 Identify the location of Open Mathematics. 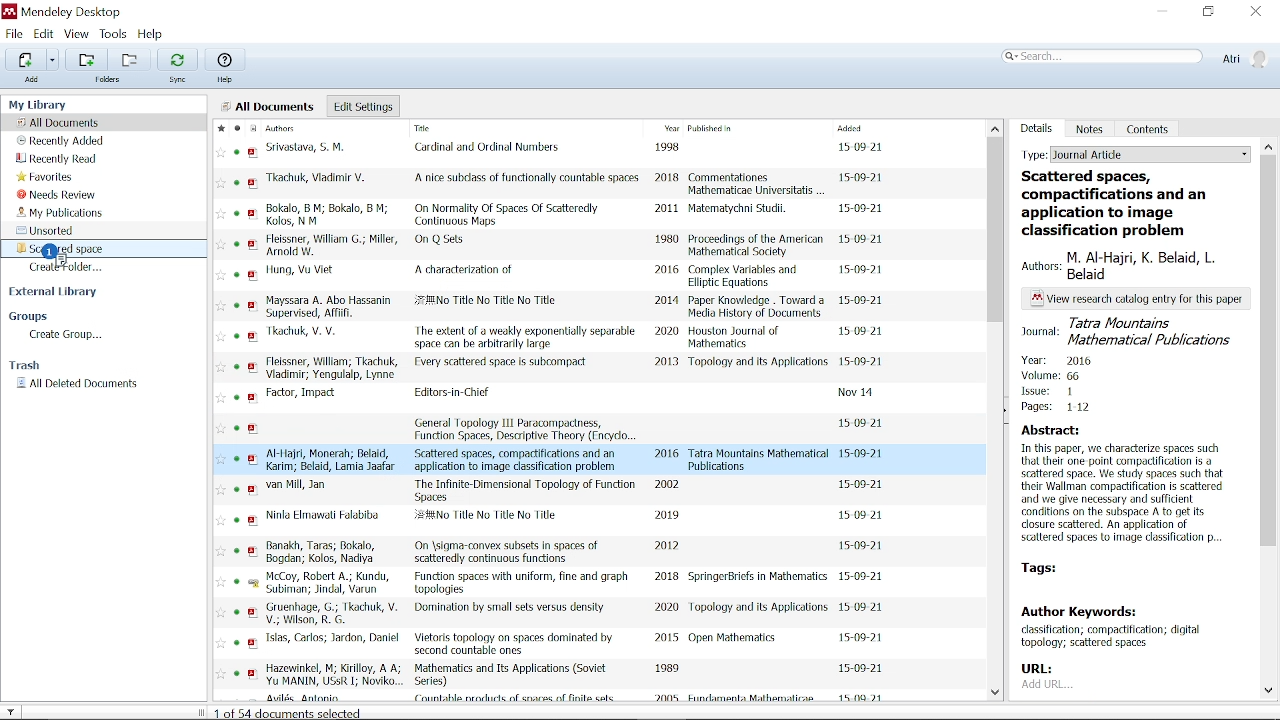
(736, 639).